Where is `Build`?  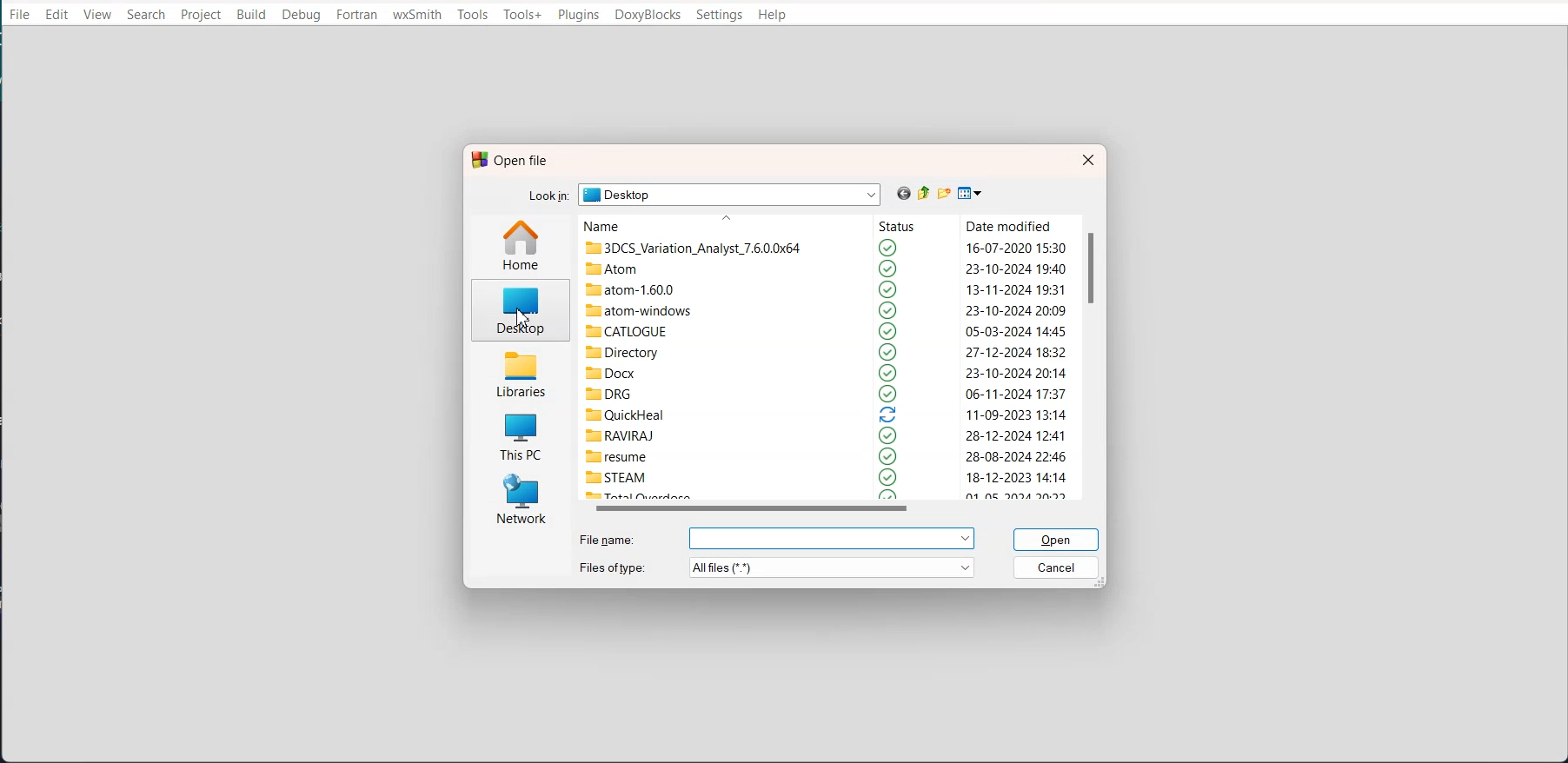
Build is located at coordinates (252, 15).